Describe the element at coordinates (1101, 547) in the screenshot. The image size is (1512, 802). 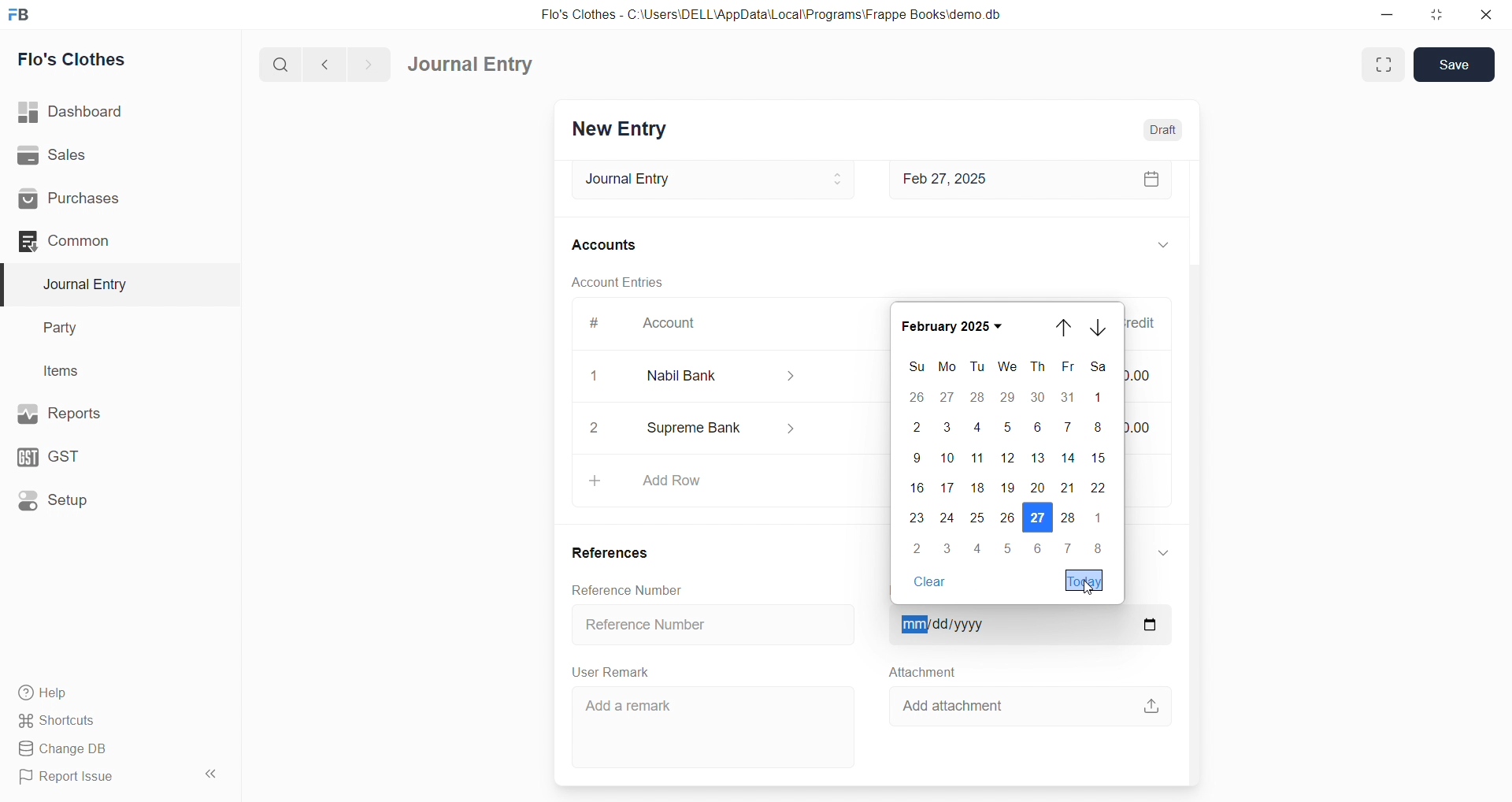
I see `8` at that location.